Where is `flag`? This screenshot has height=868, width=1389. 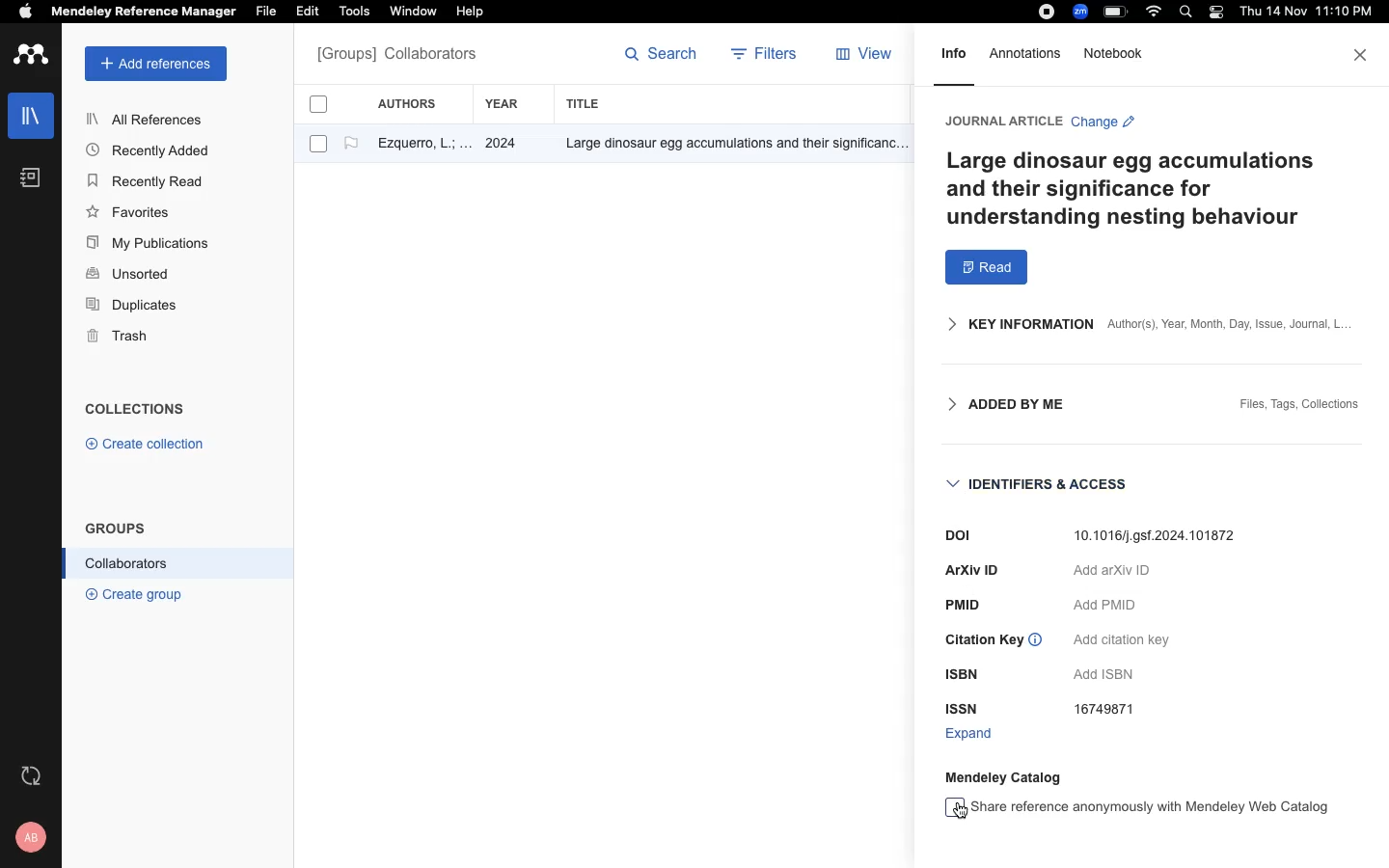
flag is located at coordinates (351, 144).